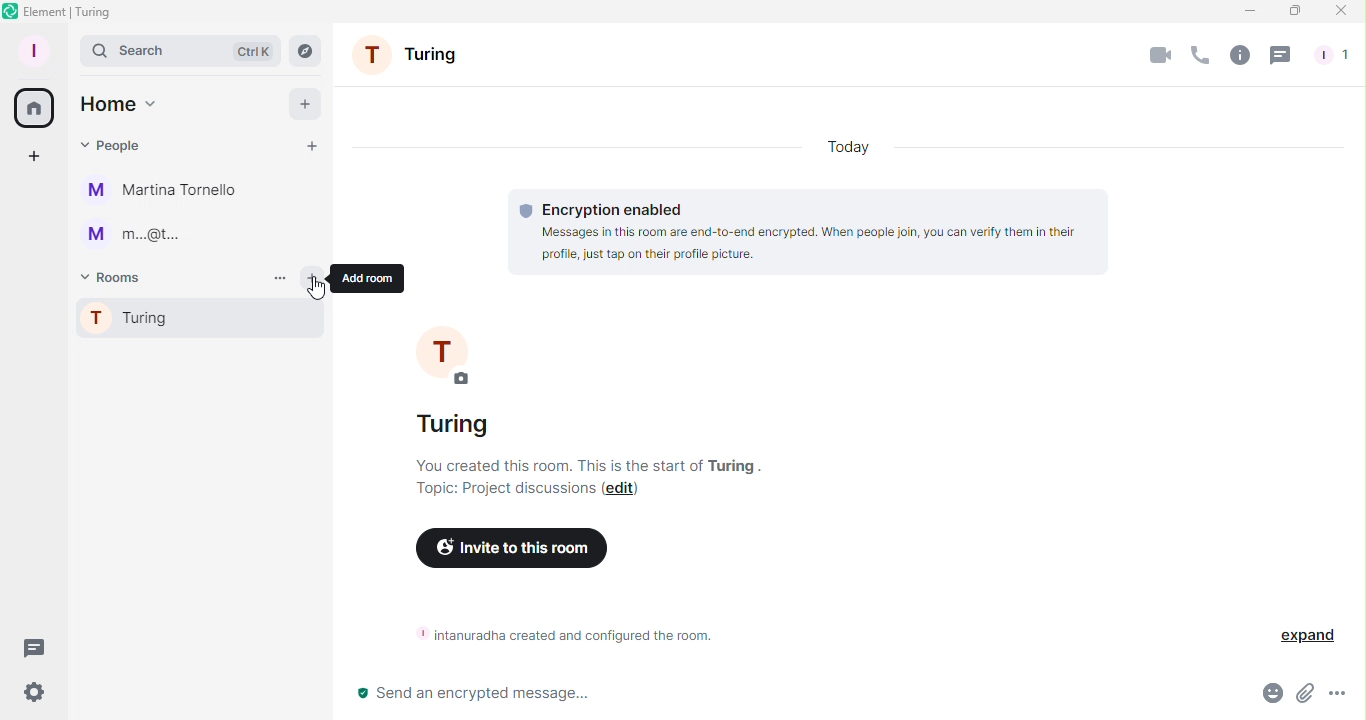  I want to click on Room name, so click(413, 59).